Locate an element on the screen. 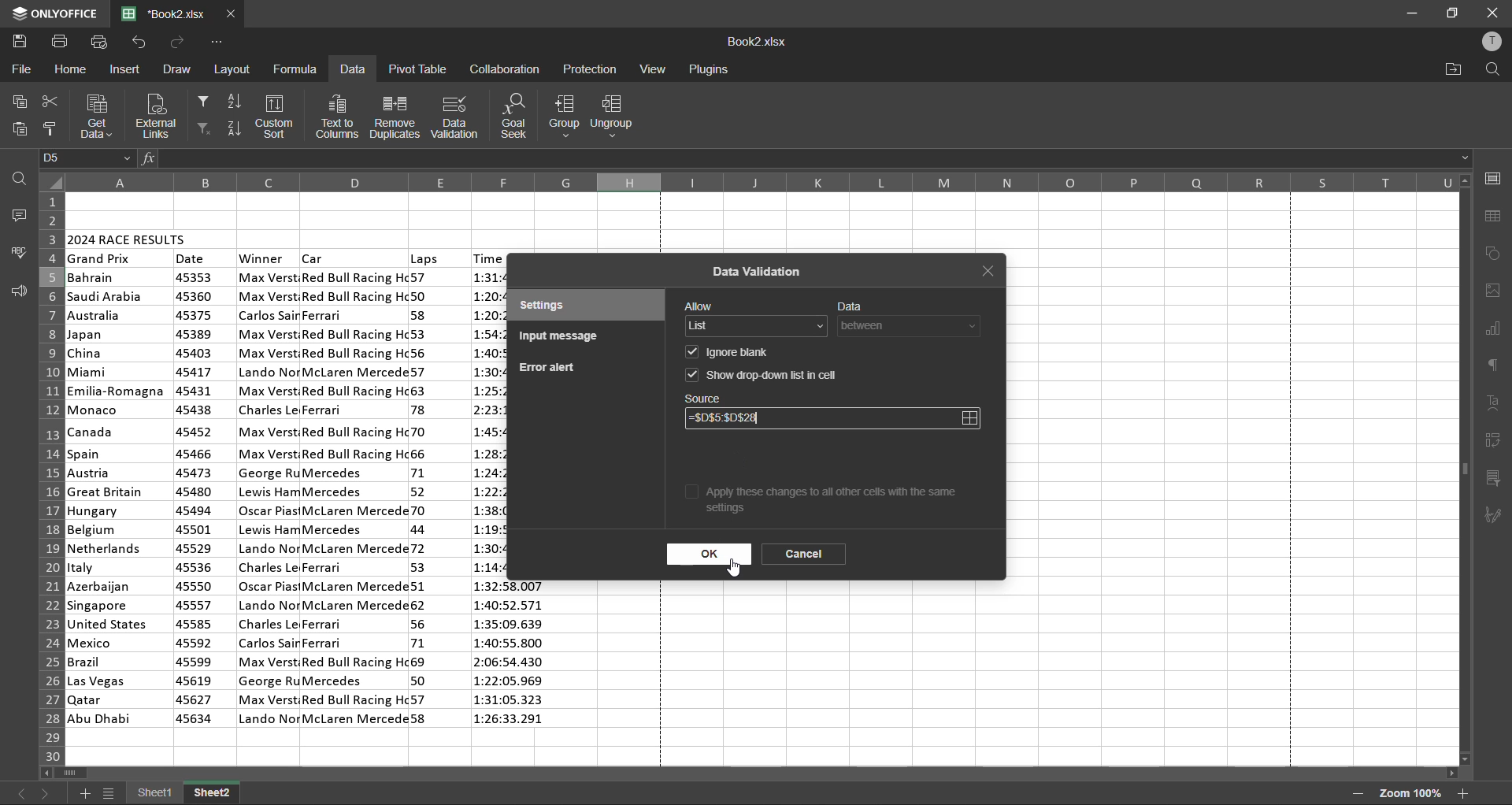 The height and width of the screenshot is (805, 1512). images is located at coordinates (1494, 291).